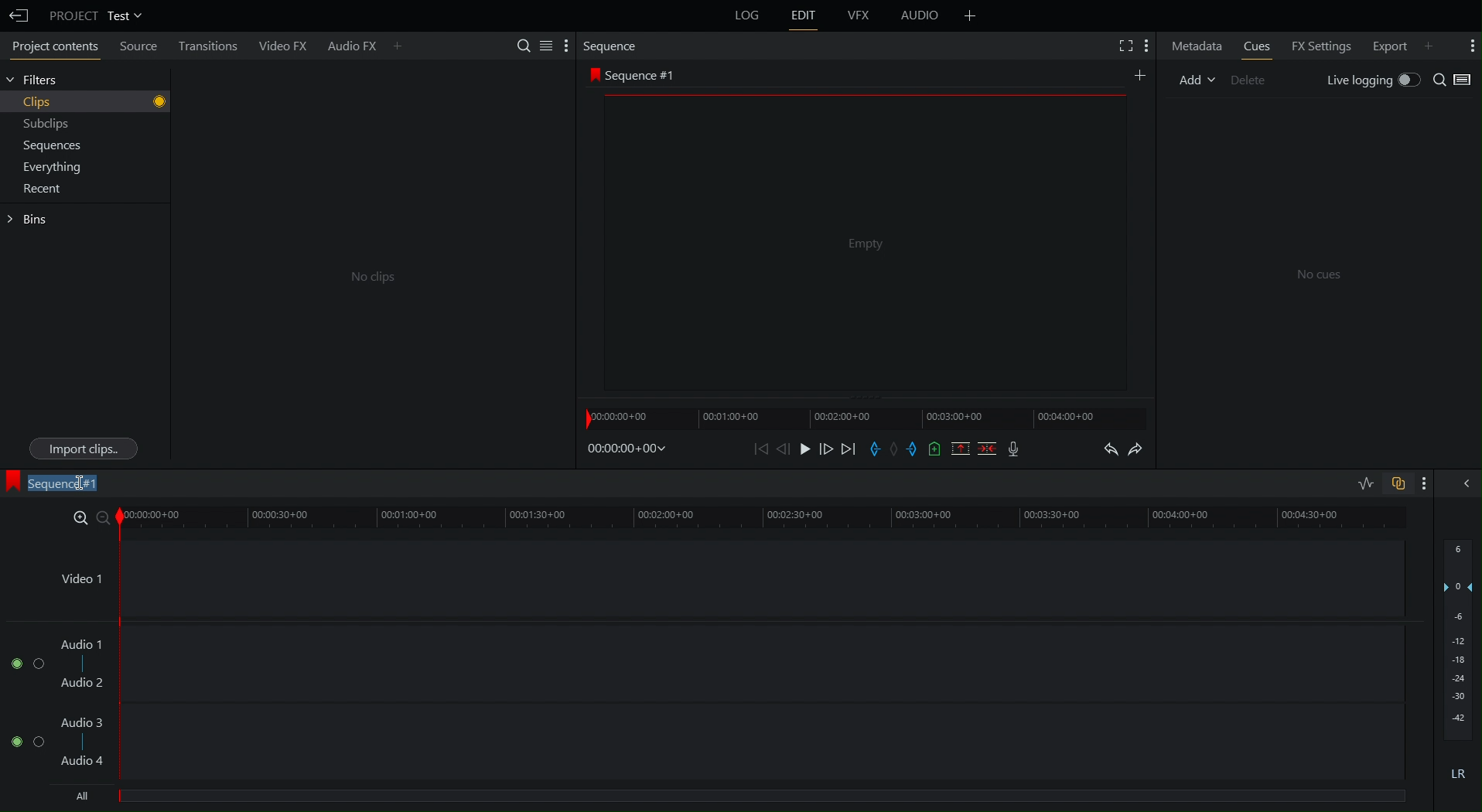 Image resolution: width=1482 pixels, height=812 pixels. Describe the element at coordinates (43, 123) in the screenshot. I see `Subclips` at that location.